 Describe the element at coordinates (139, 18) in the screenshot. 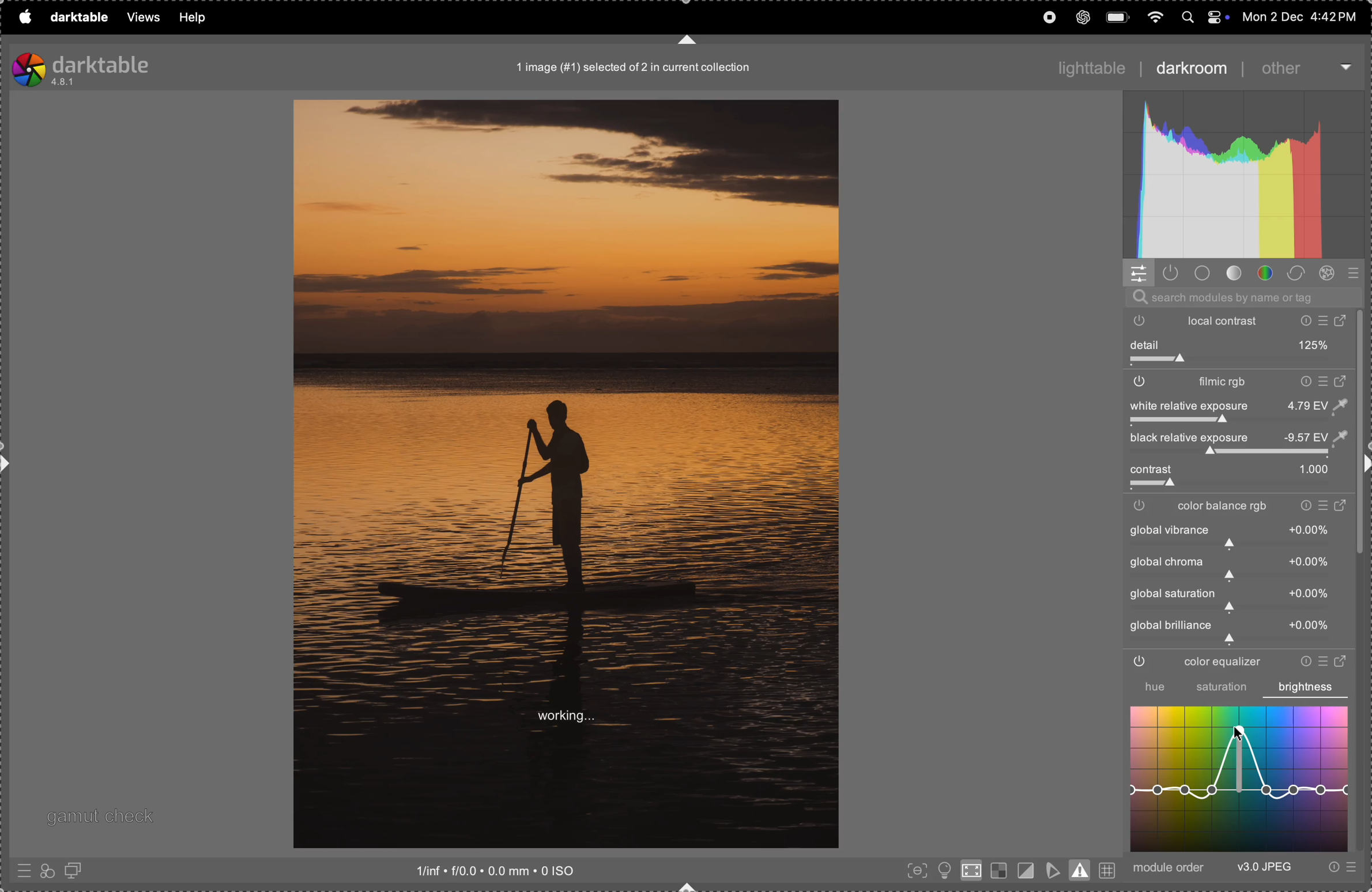

I see `views` at that location.